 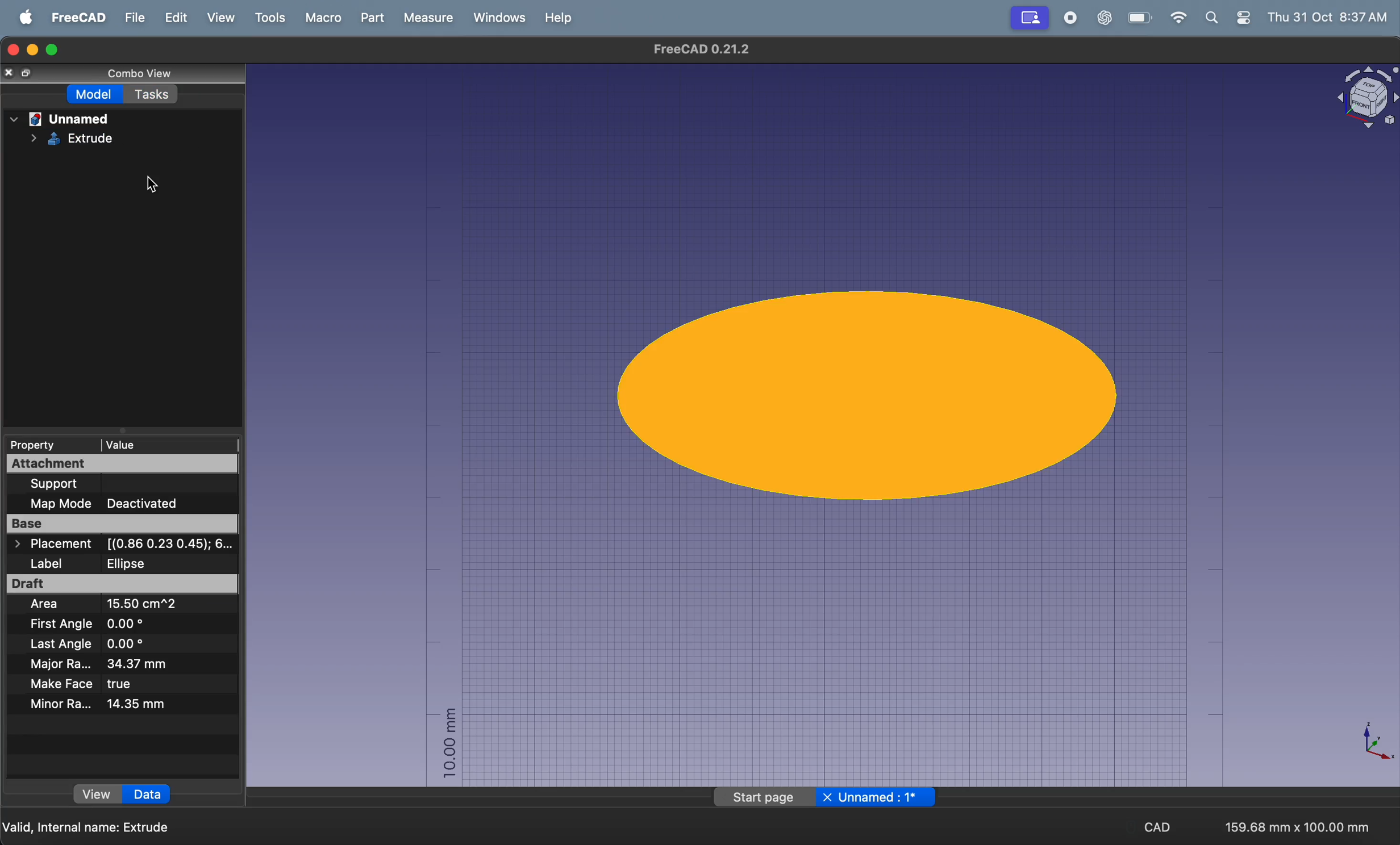 I want to click on area, so click(x=118, y=606).